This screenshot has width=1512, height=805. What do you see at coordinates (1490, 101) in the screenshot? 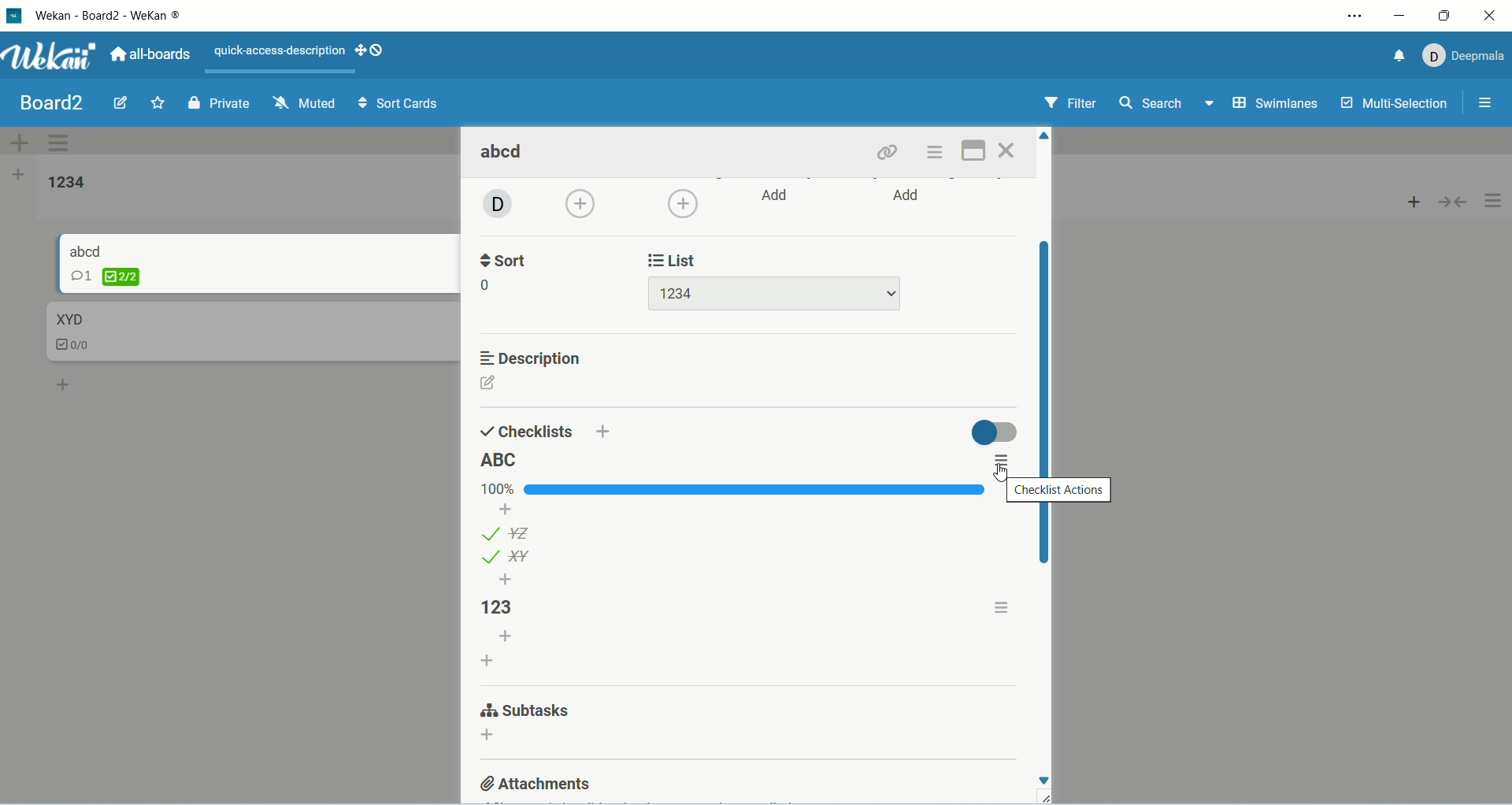
I see `options` at bounding box center [1490, 101].